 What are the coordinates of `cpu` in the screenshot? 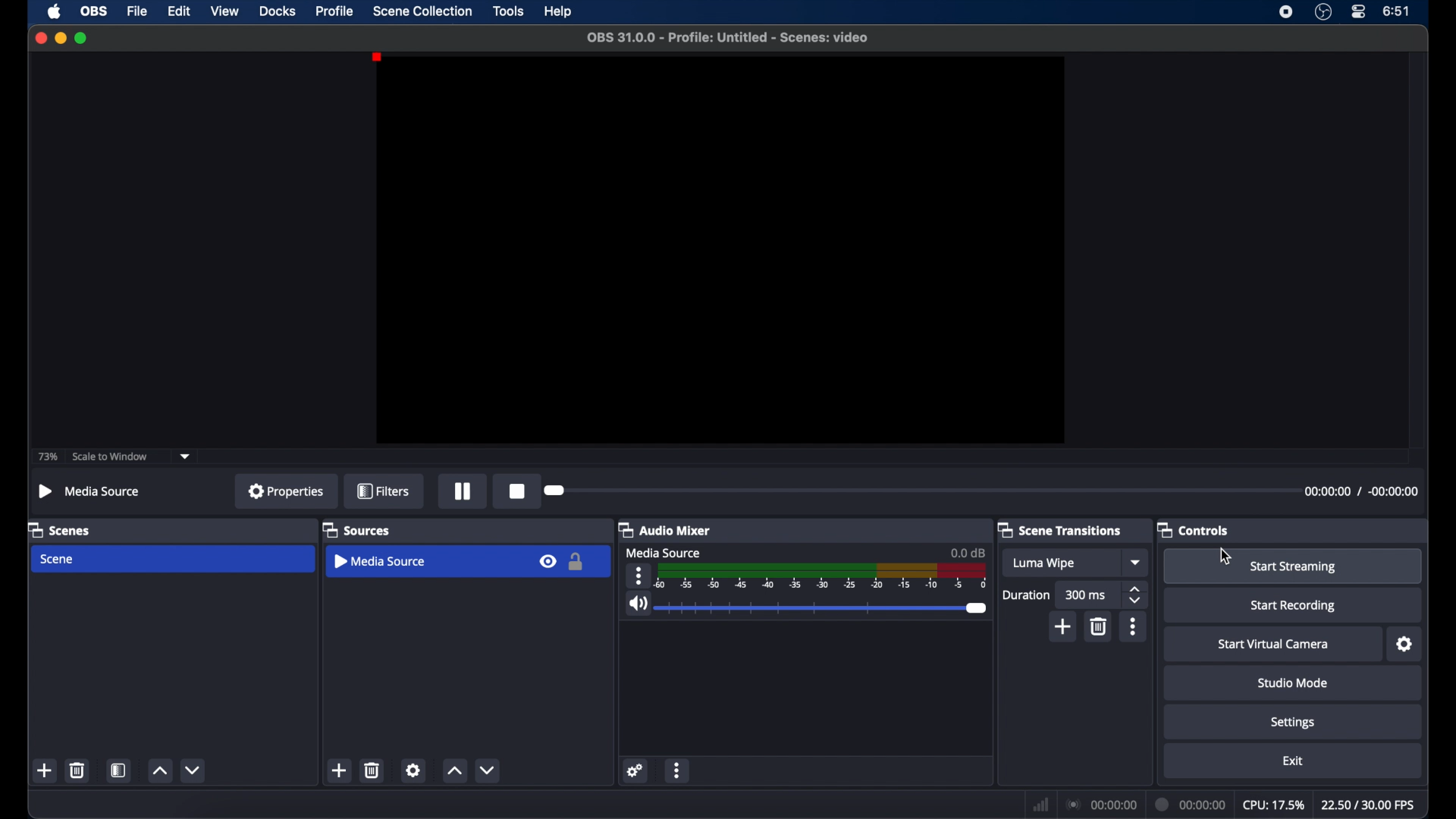 It's located at (1273, 805).